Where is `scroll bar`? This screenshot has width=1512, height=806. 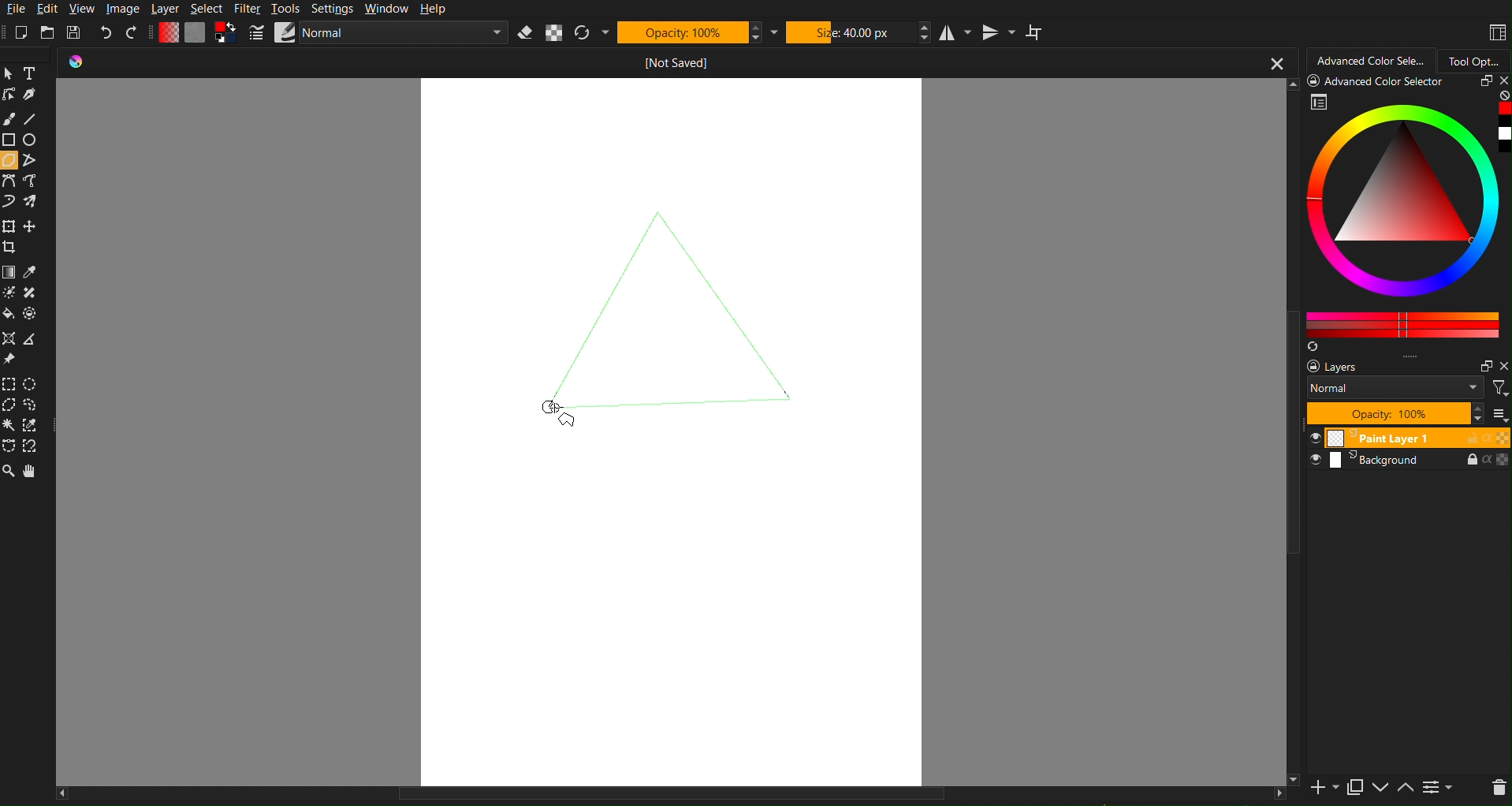
scroll bar is located at coordinates (670, 797).